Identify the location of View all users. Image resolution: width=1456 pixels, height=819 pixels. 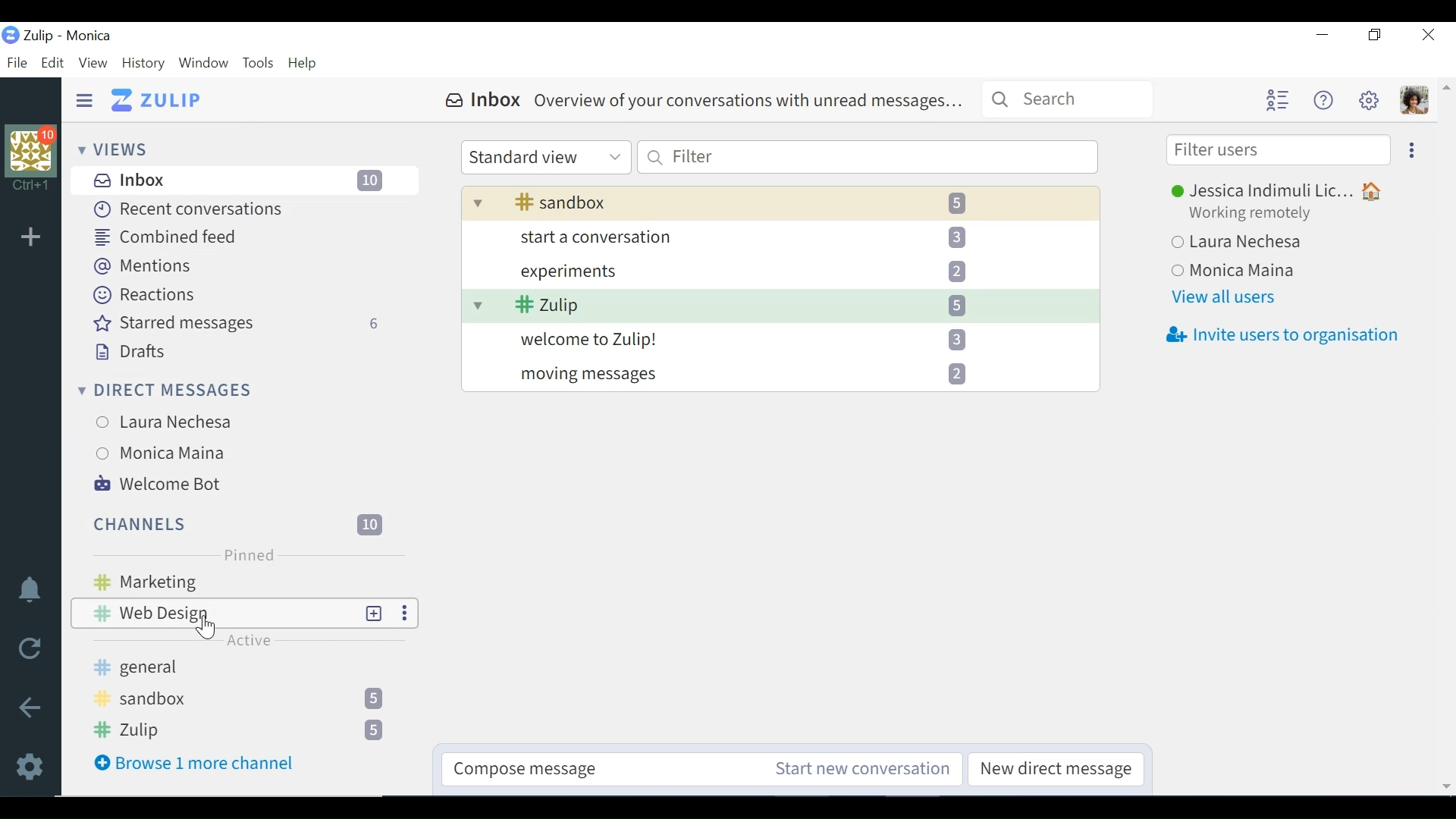
(1223, 297).